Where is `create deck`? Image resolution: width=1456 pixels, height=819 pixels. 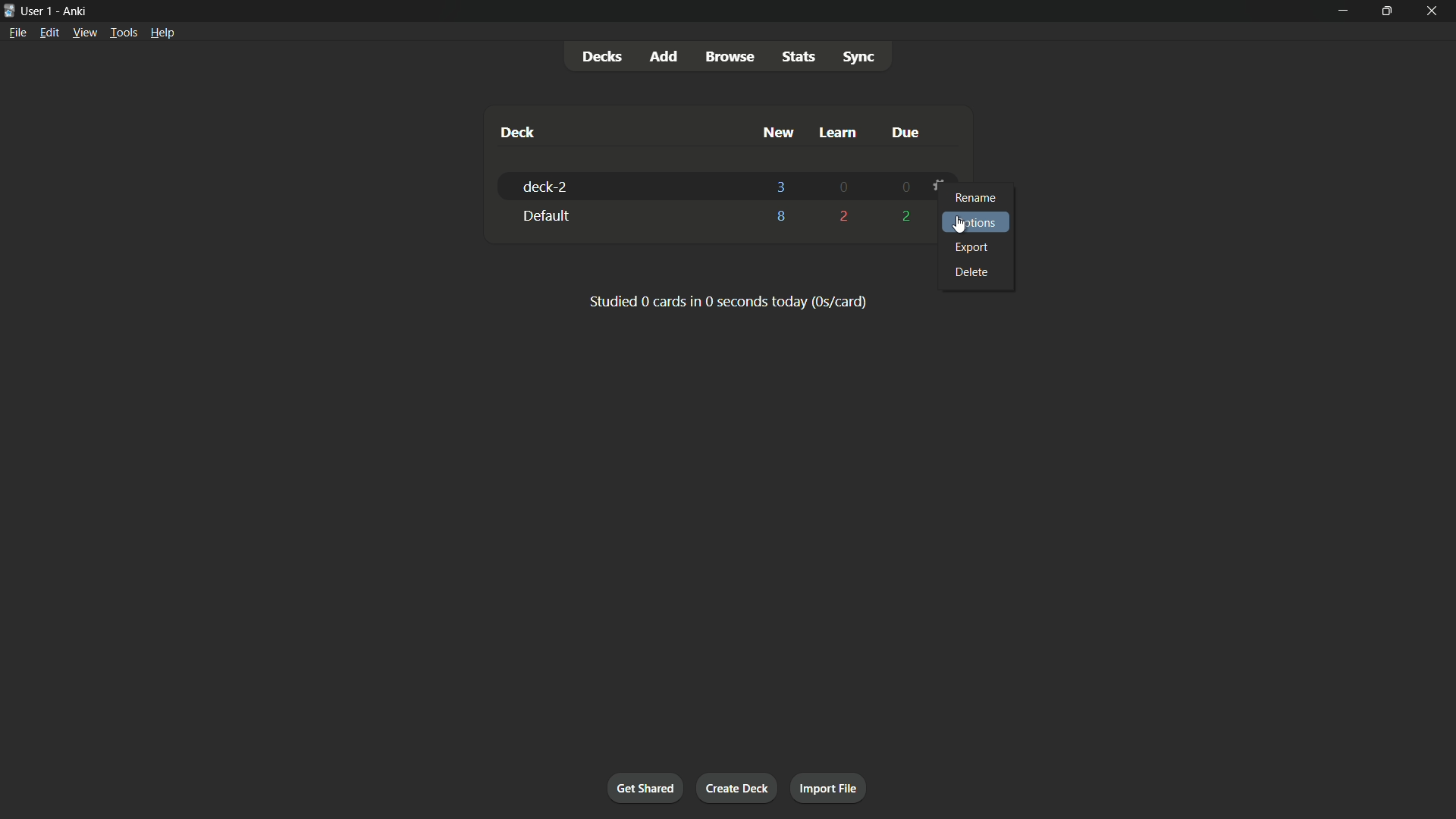
create deck is located at coordinates (739, 789).